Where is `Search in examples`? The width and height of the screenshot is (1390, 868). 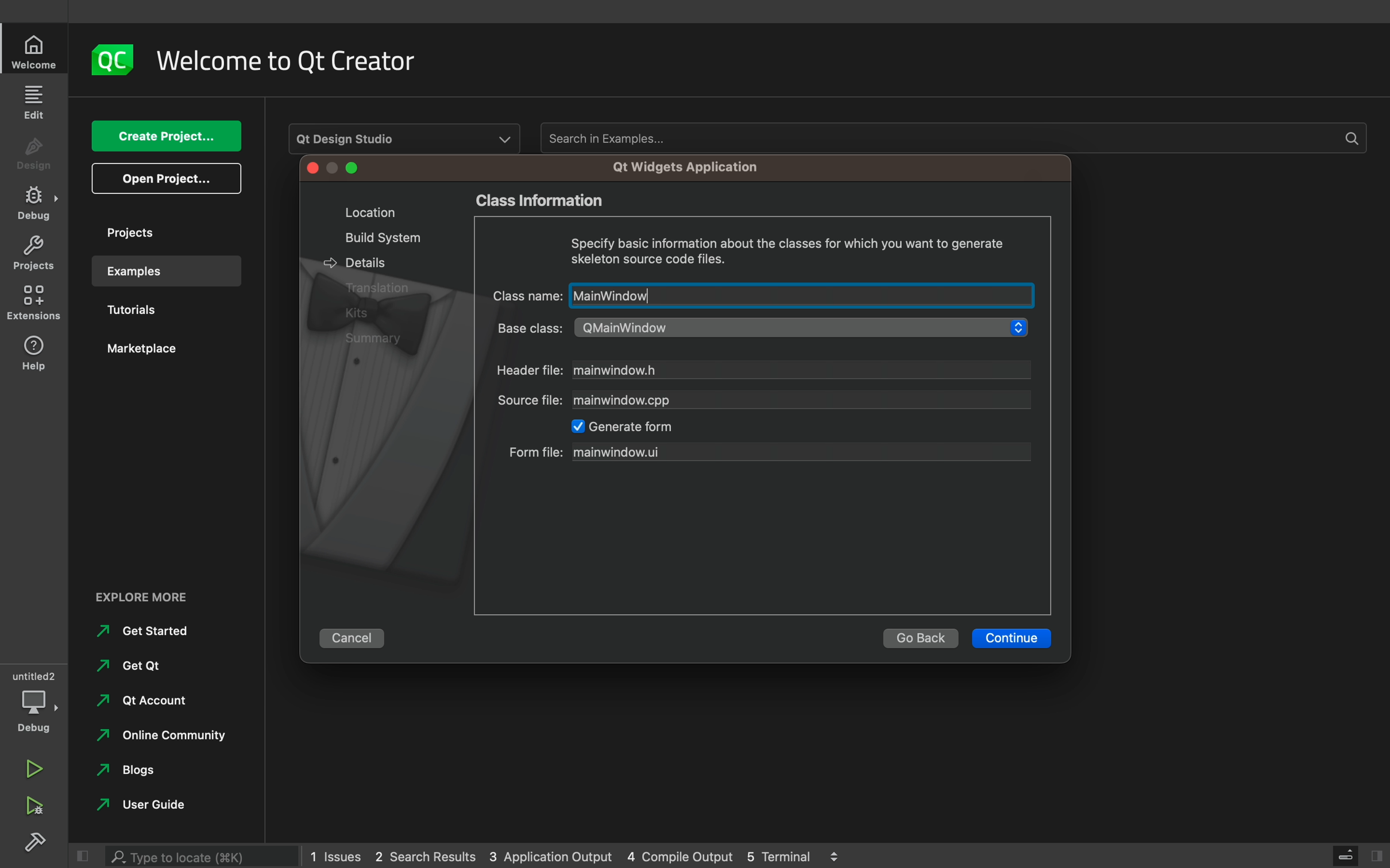 Search in examples is located at coordinates (951, 138).